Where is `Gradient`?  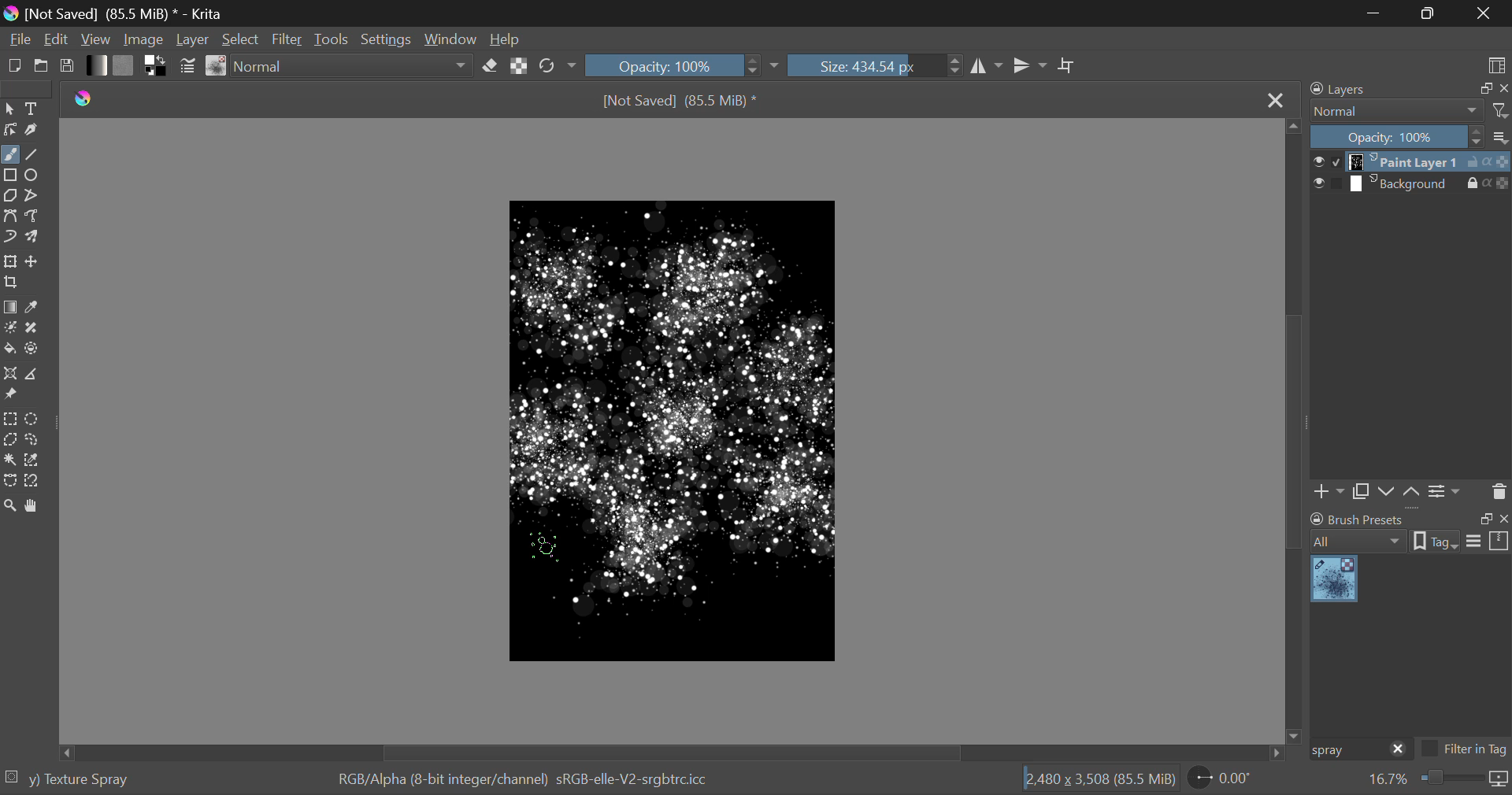 Gradient is located at coordinates (98, 65).